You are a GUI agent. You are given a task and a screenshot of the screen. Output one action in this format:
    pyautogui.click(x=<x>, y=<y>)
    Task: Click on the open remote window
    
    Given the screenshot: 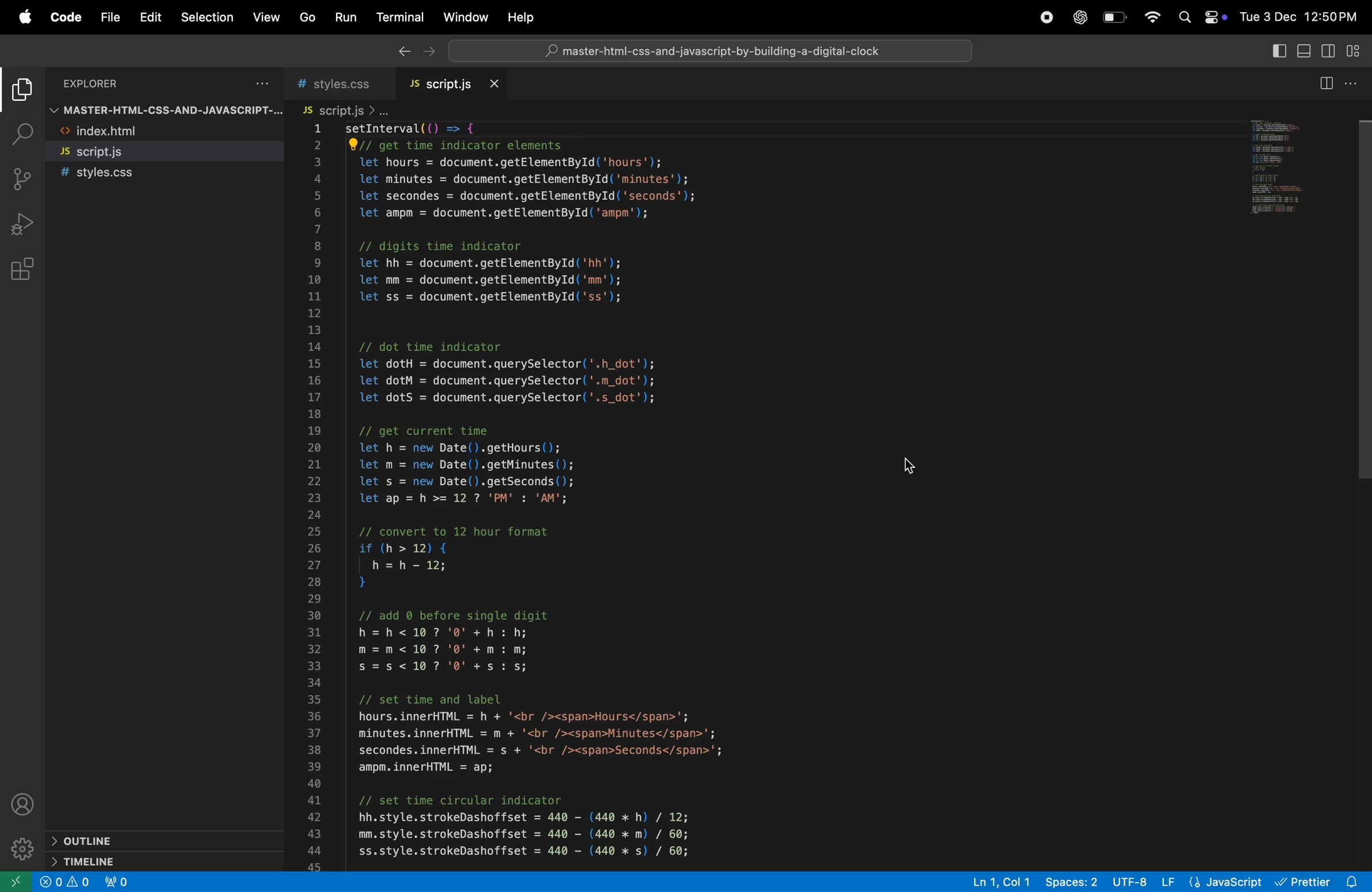 What is the action you would take?
    pyautogui.click(x=14, y=882)
    